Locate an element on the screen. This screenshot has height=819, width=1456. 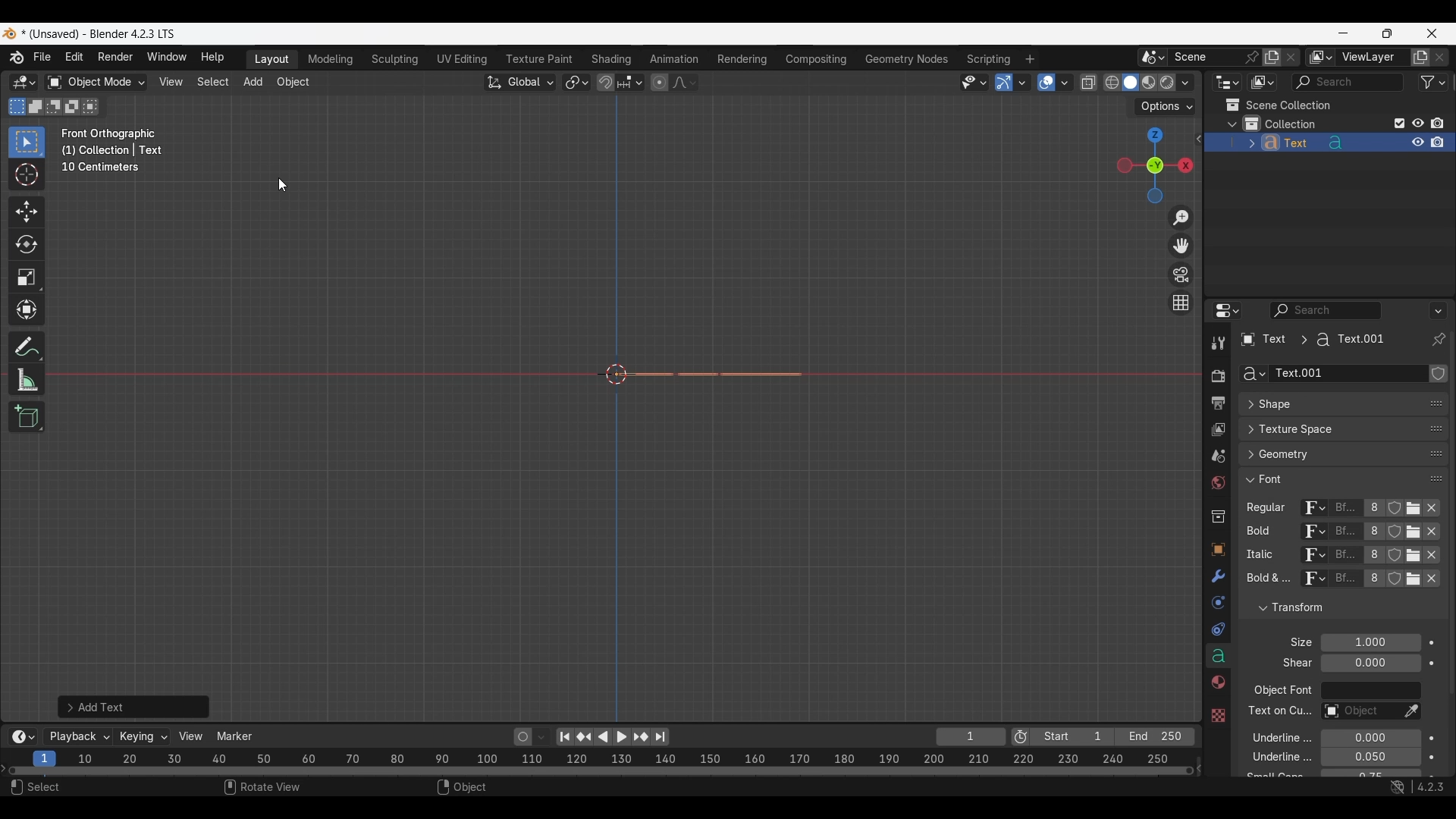
Frame description changed is located at coordinates (112, 150).